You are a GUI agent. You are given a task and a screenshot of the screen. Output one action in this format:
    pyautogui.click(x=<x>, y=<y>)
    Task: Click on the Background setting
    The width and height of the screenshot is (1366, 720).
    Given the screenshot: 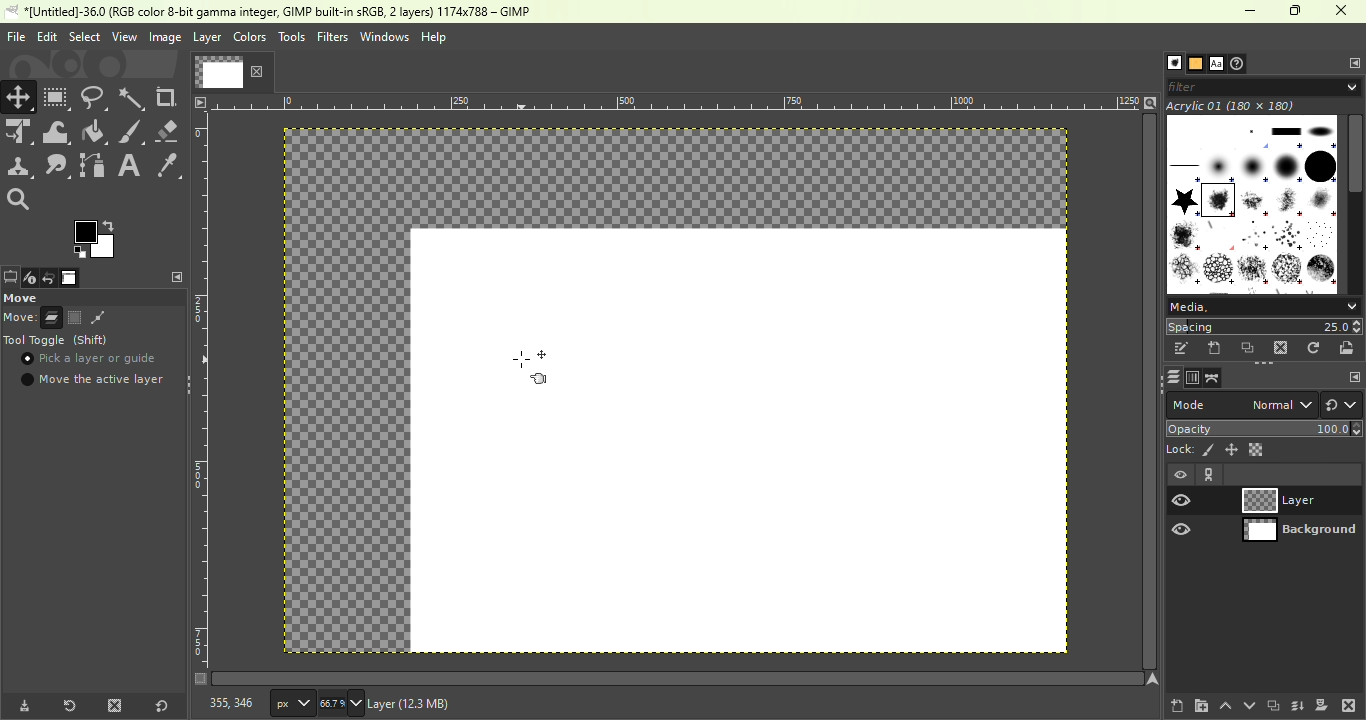 What is the action you would take?
    pyautogui.click(x=1265, y=500)
    